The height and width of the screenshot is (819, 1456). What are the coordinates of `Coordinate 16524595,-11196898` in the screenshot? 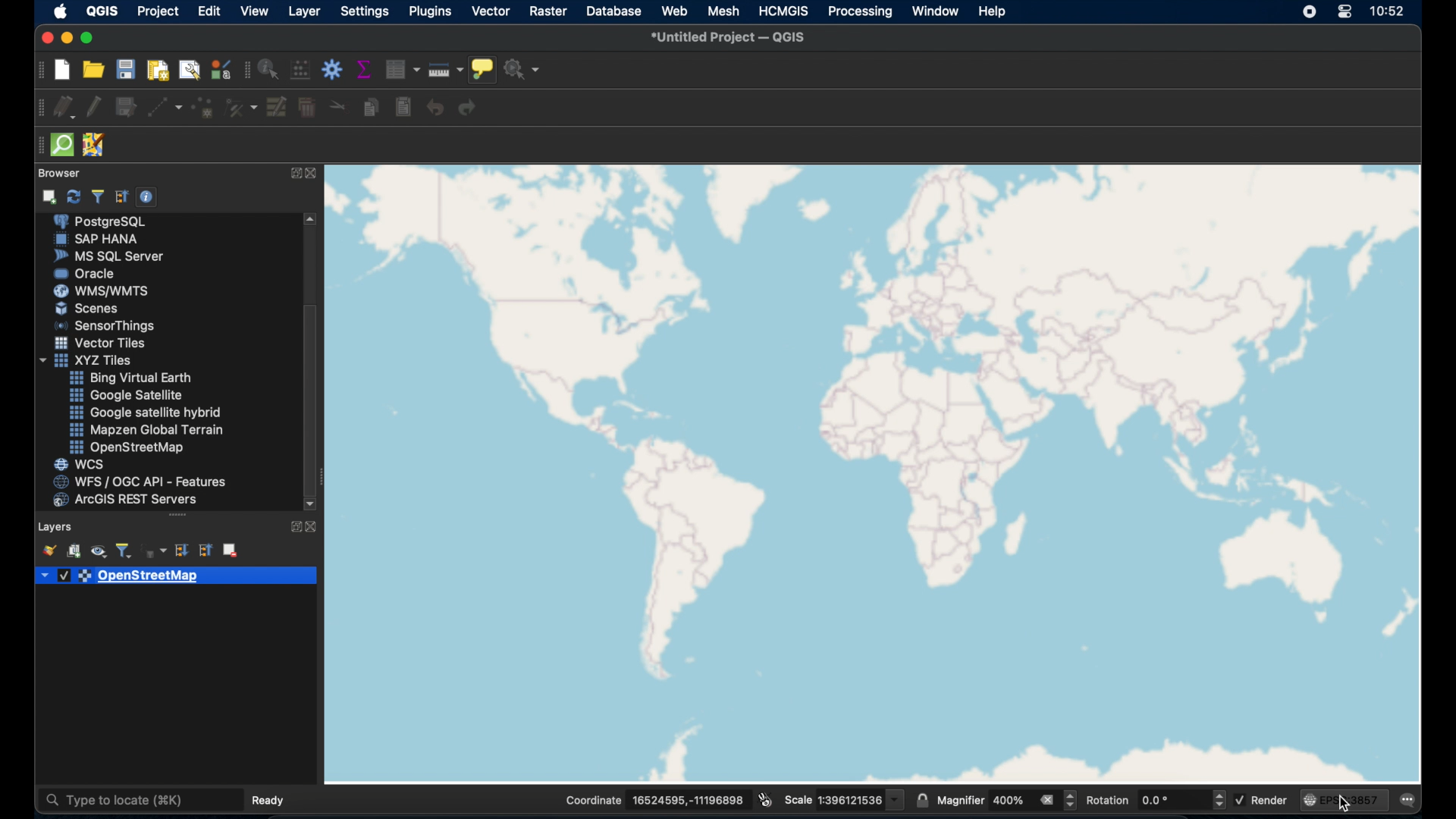 It's located at (655, 800).